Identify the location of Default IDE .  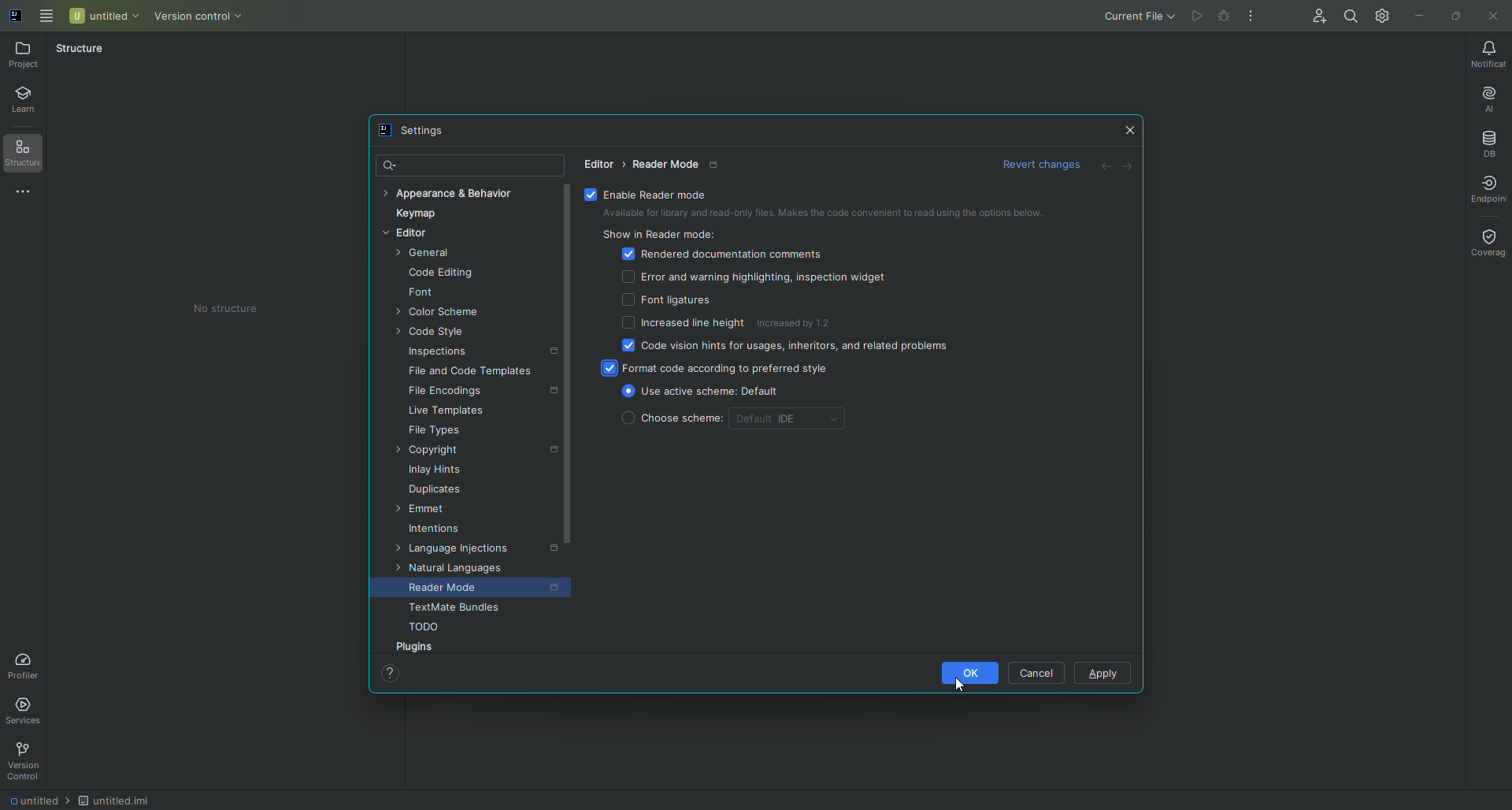
(792, 419).